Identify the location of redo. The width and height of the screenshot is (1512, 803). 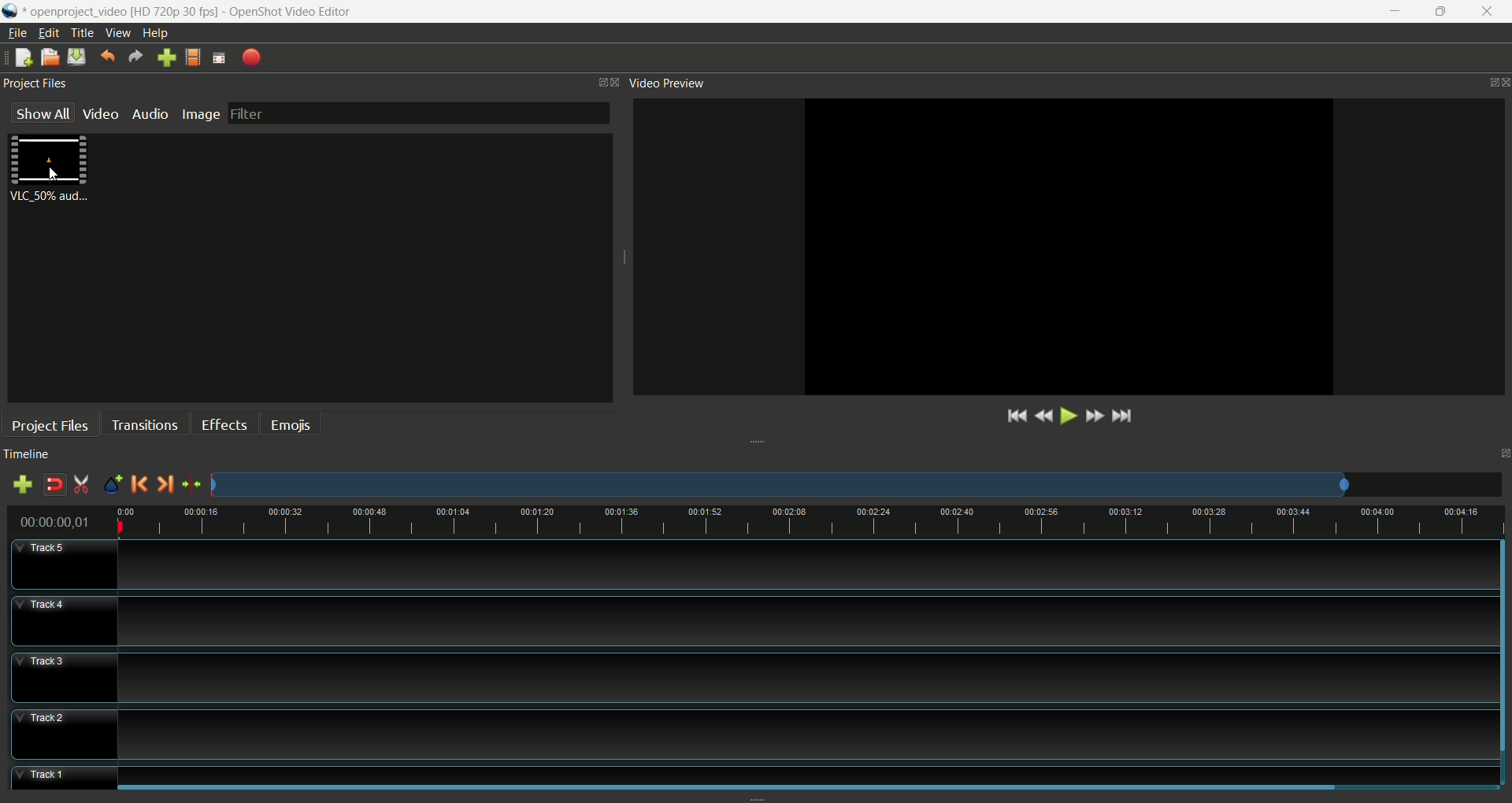
(138, 57).